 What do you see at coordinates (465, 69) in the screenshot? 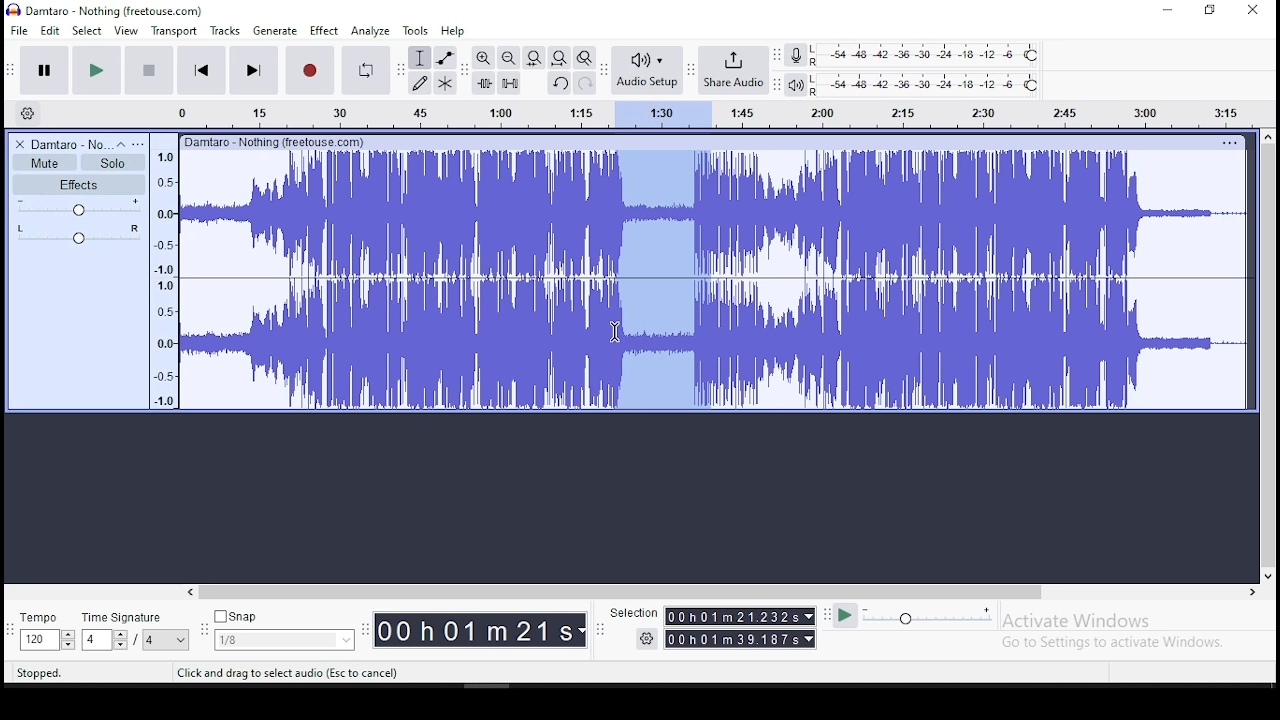
I see `` at bounding box center [465, 69].